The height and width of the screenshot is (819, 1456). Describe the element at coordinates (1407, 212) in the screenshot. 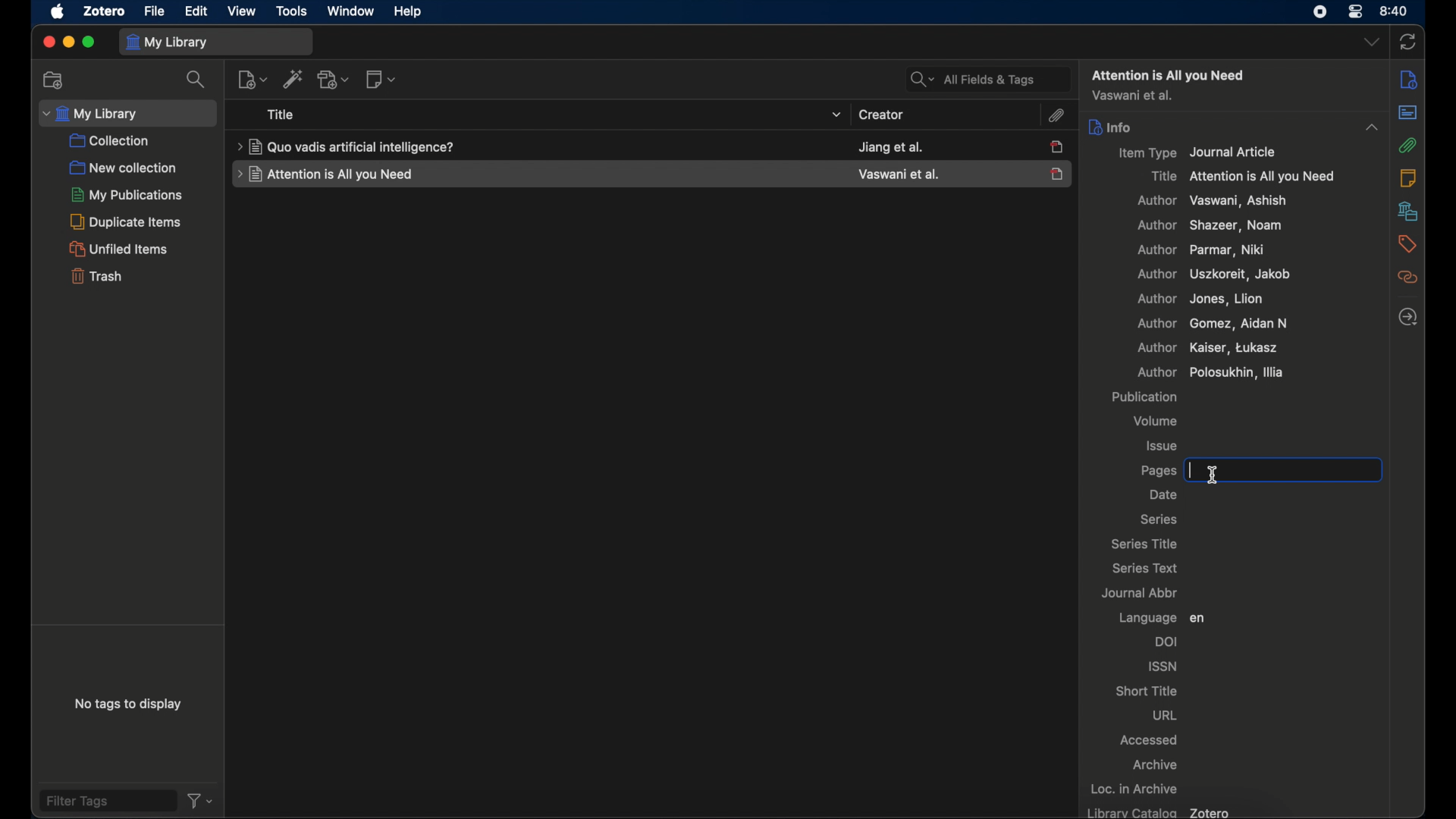

I see `libraries and collections` at that location.